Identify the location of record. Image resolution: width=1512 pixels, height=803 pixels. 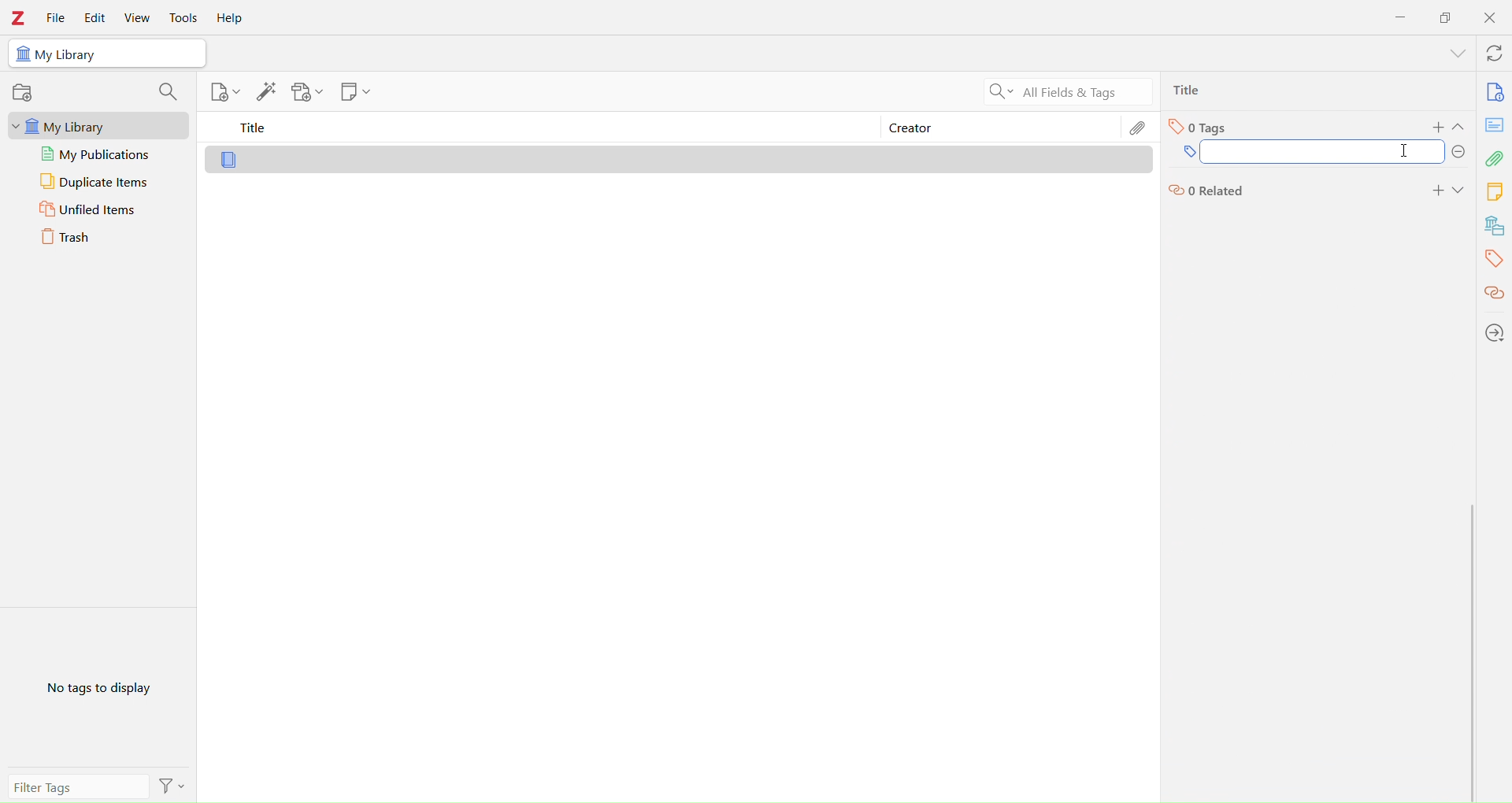
(22, 94).